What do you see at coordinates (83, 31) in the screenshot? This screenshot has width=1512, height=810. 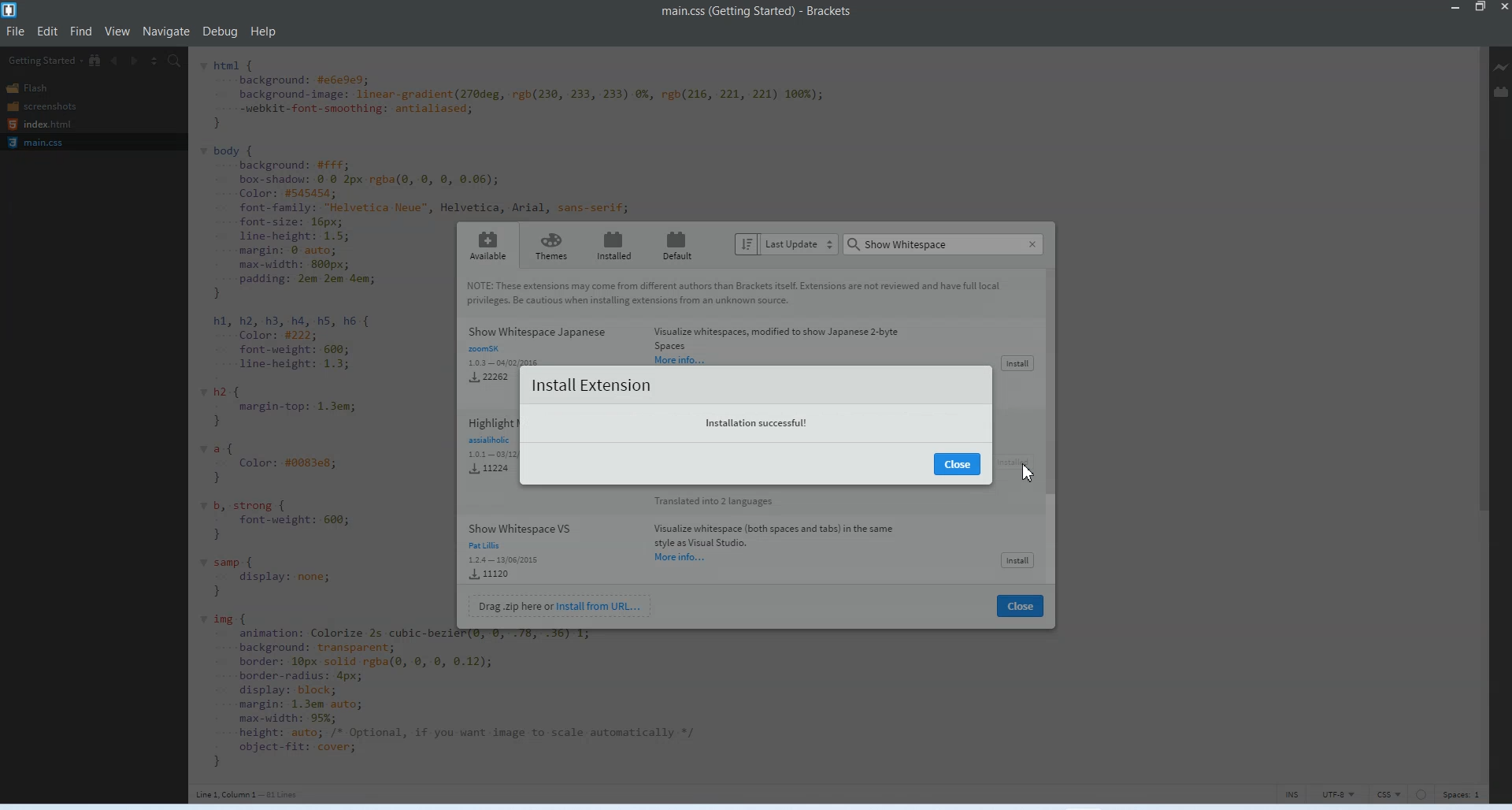 I see `Find` at bounding box center [83, 31].